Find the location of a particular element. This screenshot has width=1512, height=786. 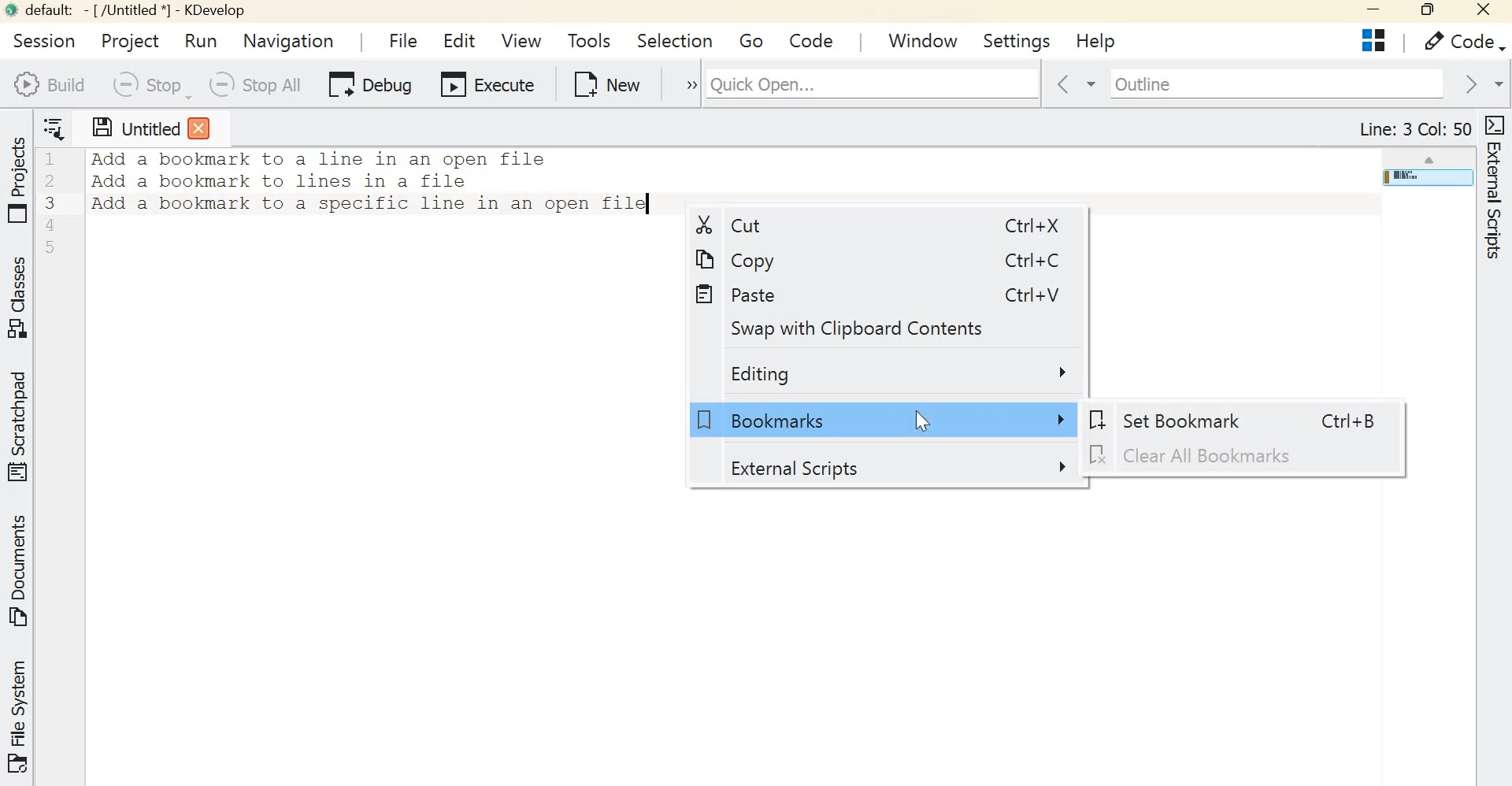

Classes is located at coordinates (20, 299).